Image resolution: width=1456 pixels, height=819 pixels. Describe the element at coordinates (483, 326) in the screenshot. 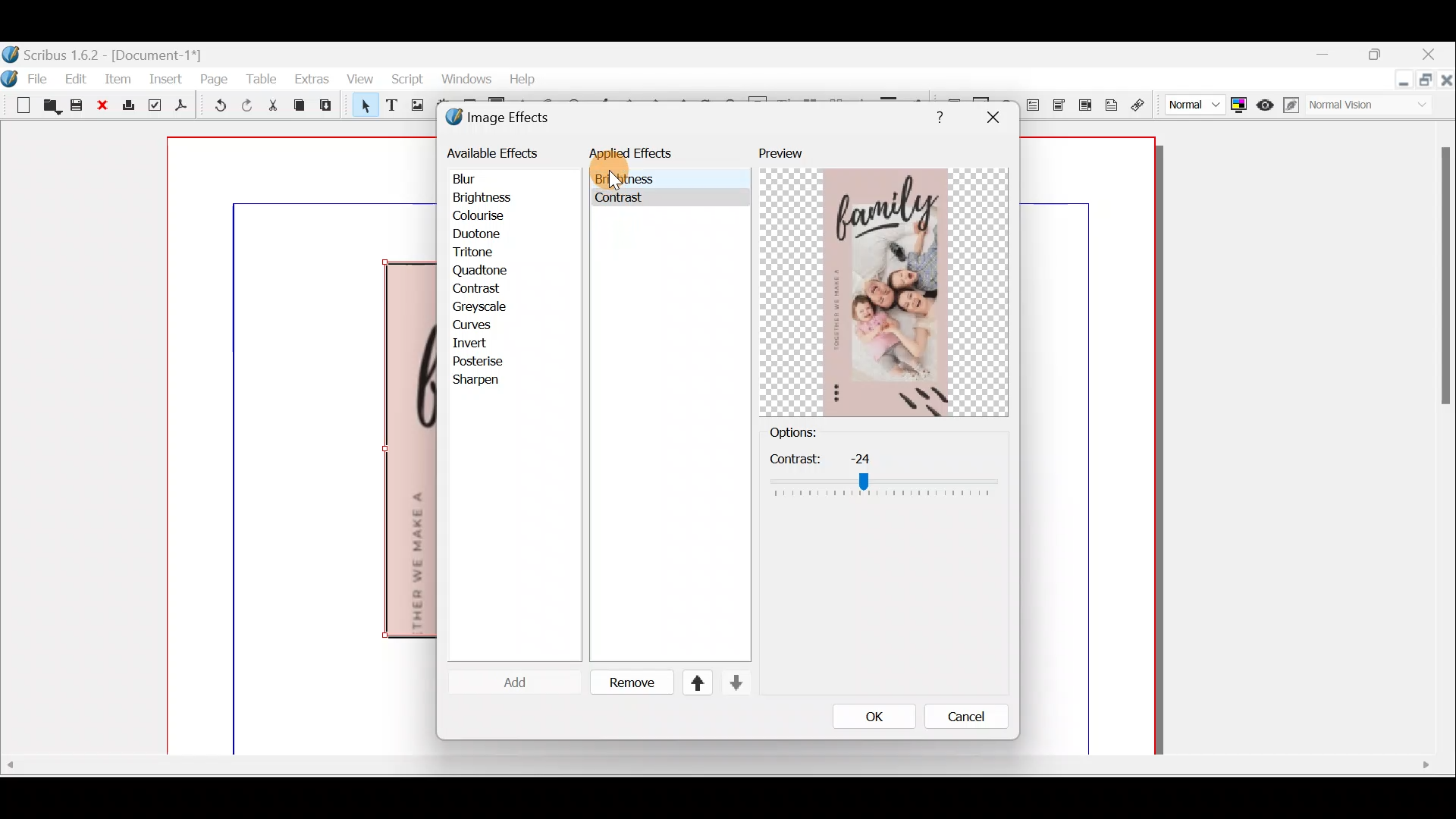

I see `Curves` at that location.